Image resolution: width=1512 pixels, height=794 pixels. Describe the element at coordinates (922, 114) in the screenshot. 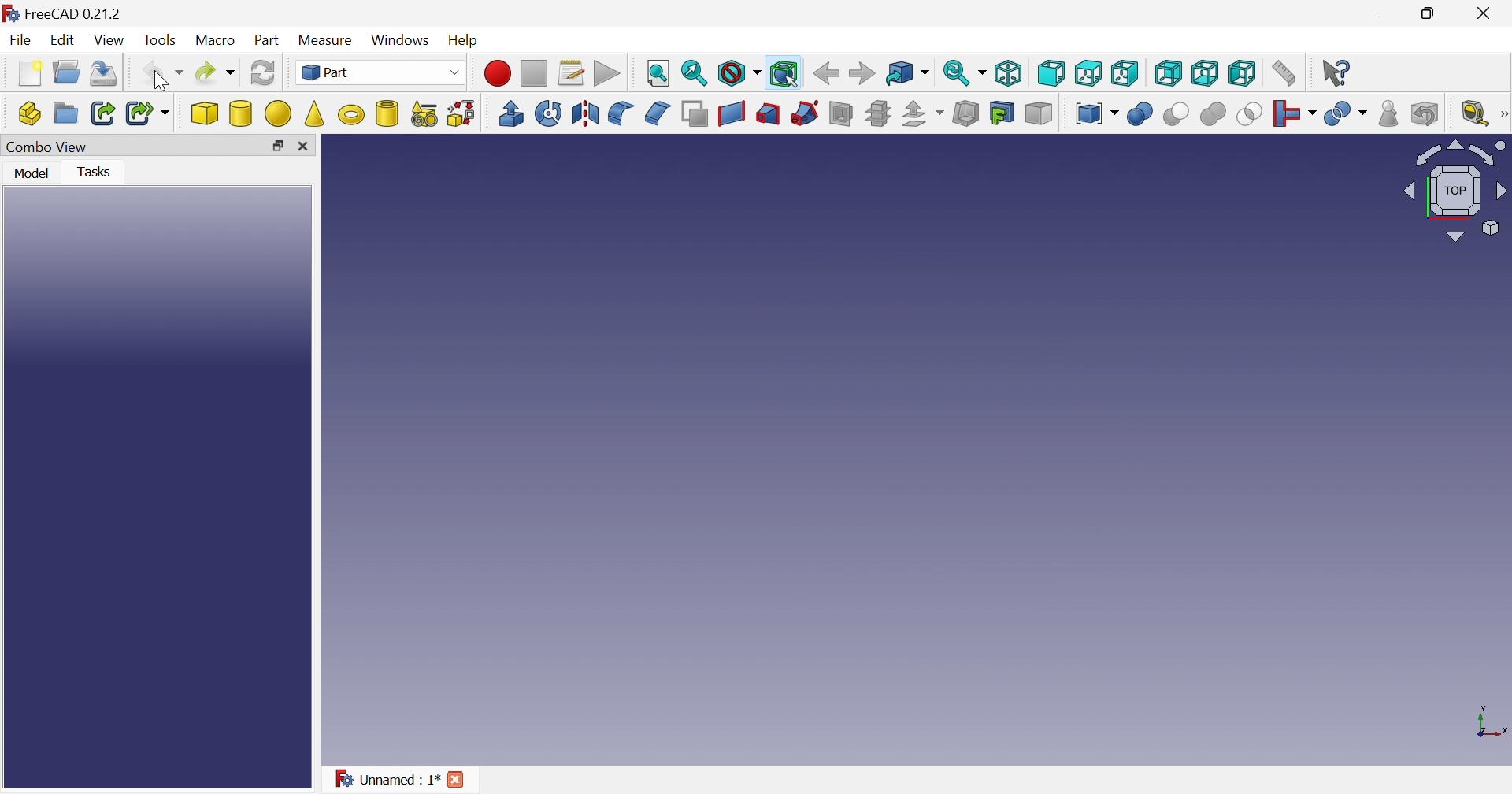

I see `Offset:` at that location.